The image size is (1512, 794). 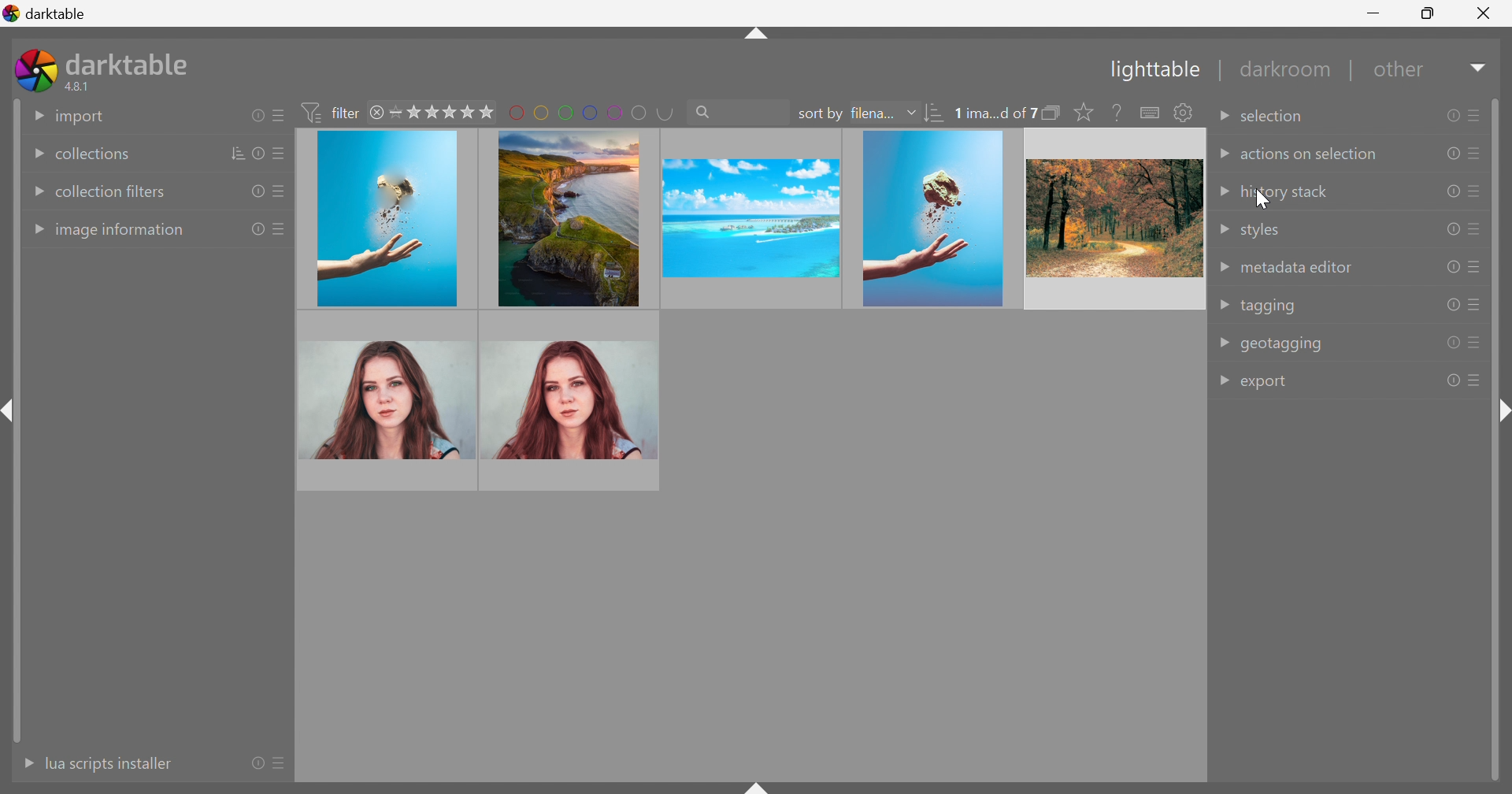 I want to click on shift+ctrl+r, so click(x=1501, y=414).